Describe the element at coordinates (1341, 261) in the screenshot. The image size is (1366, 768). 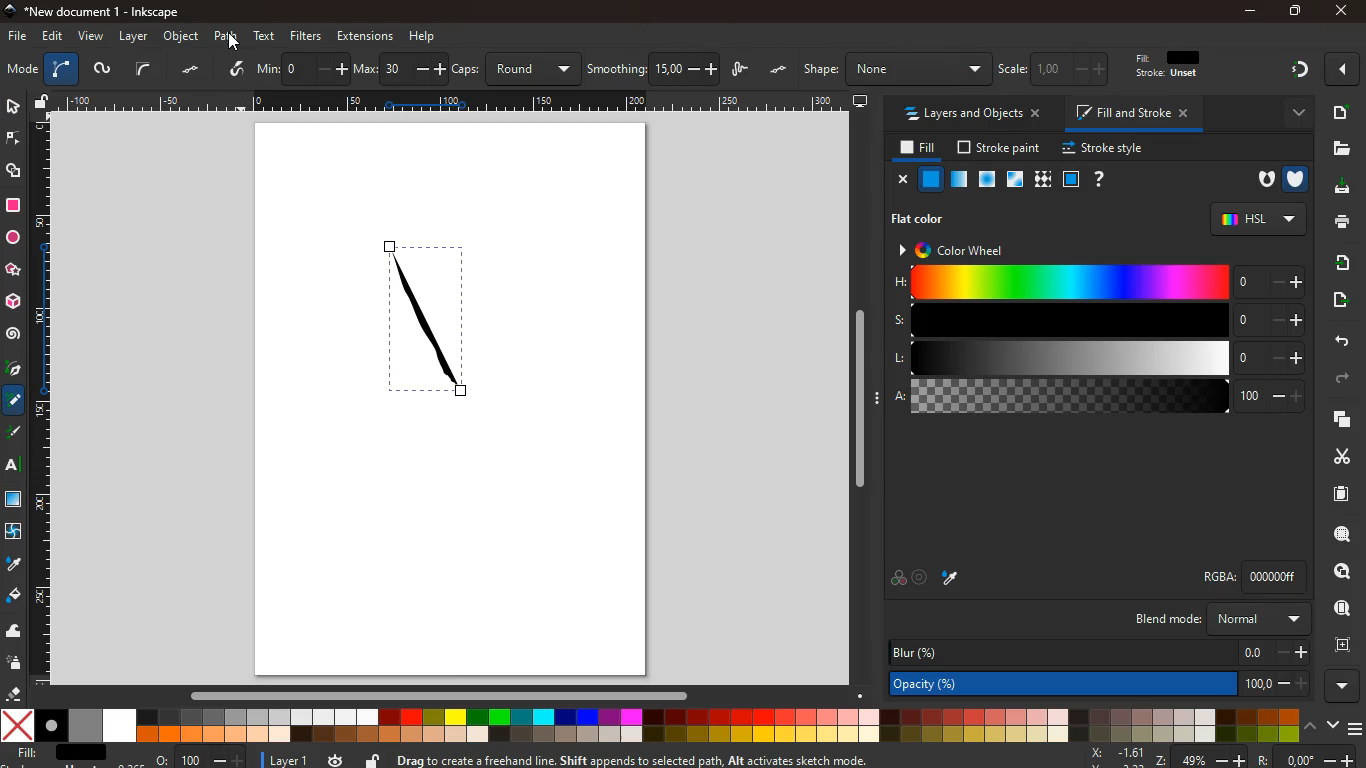
I see `receive` at that location.